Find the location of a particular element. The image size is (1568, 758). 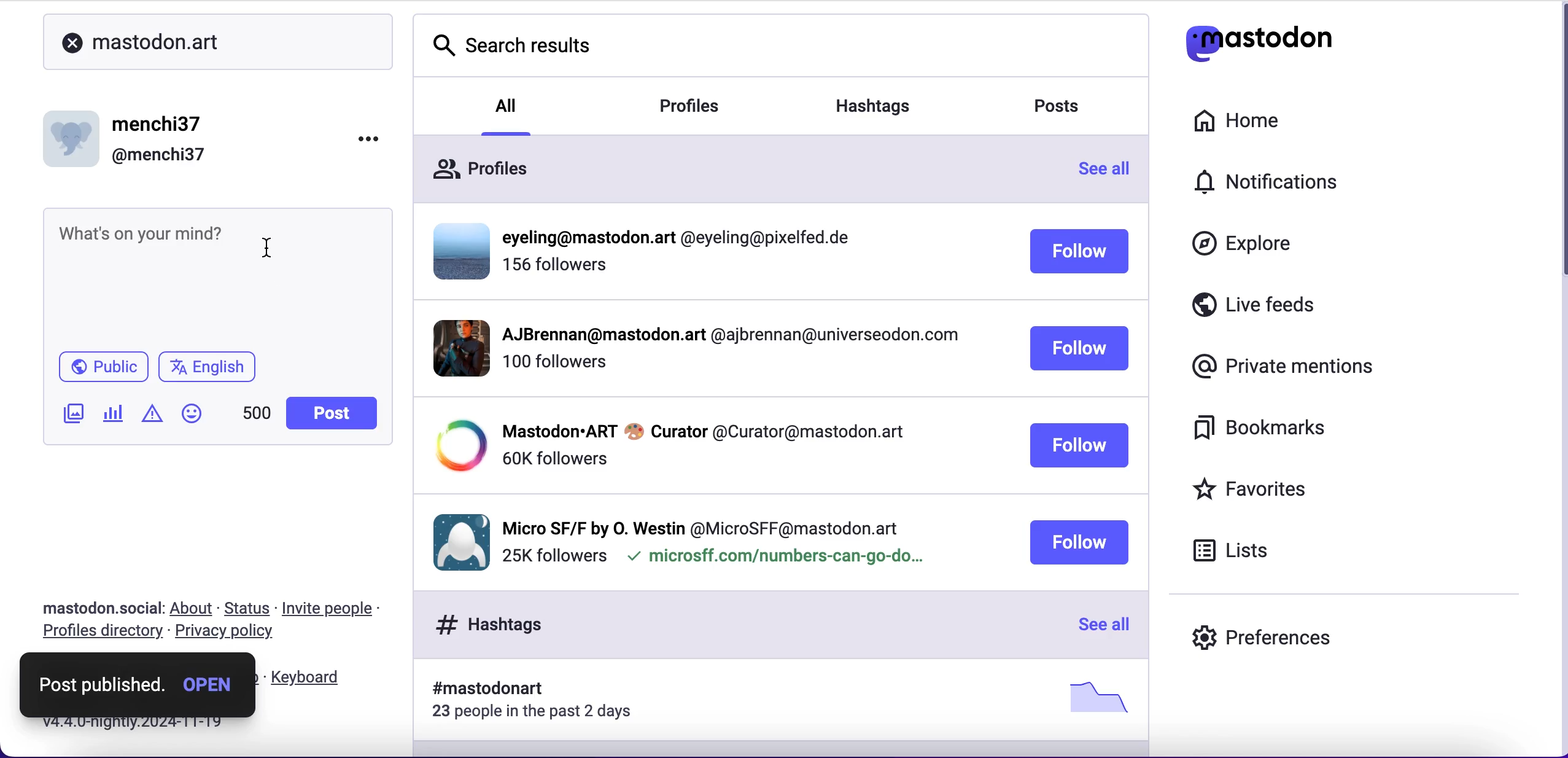

display picture is located at coordinates (456, 446).